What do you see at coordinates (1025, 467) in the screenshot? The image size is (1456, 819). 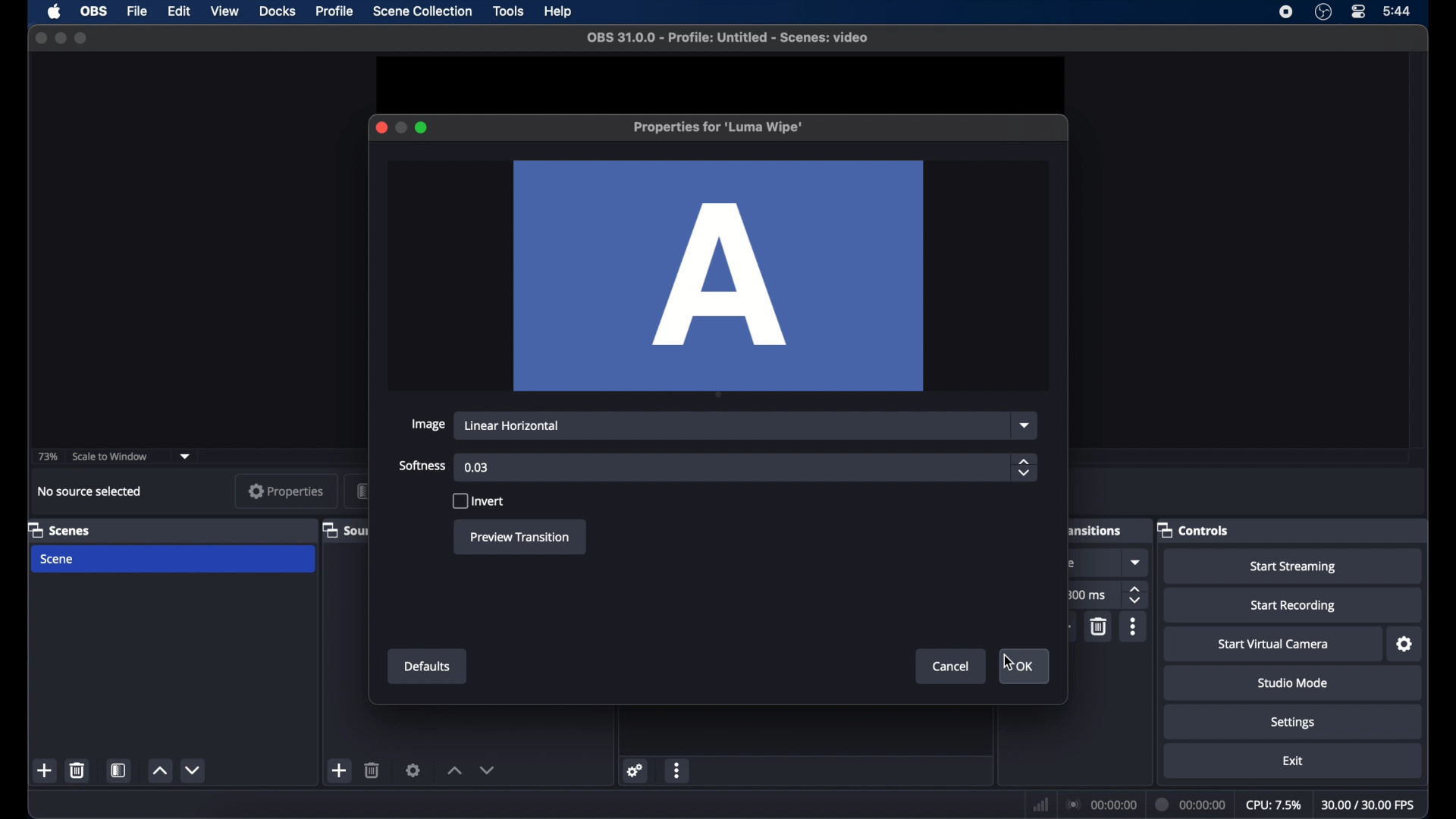 I see `stepper buttons` at bounding box center [1025, 467].